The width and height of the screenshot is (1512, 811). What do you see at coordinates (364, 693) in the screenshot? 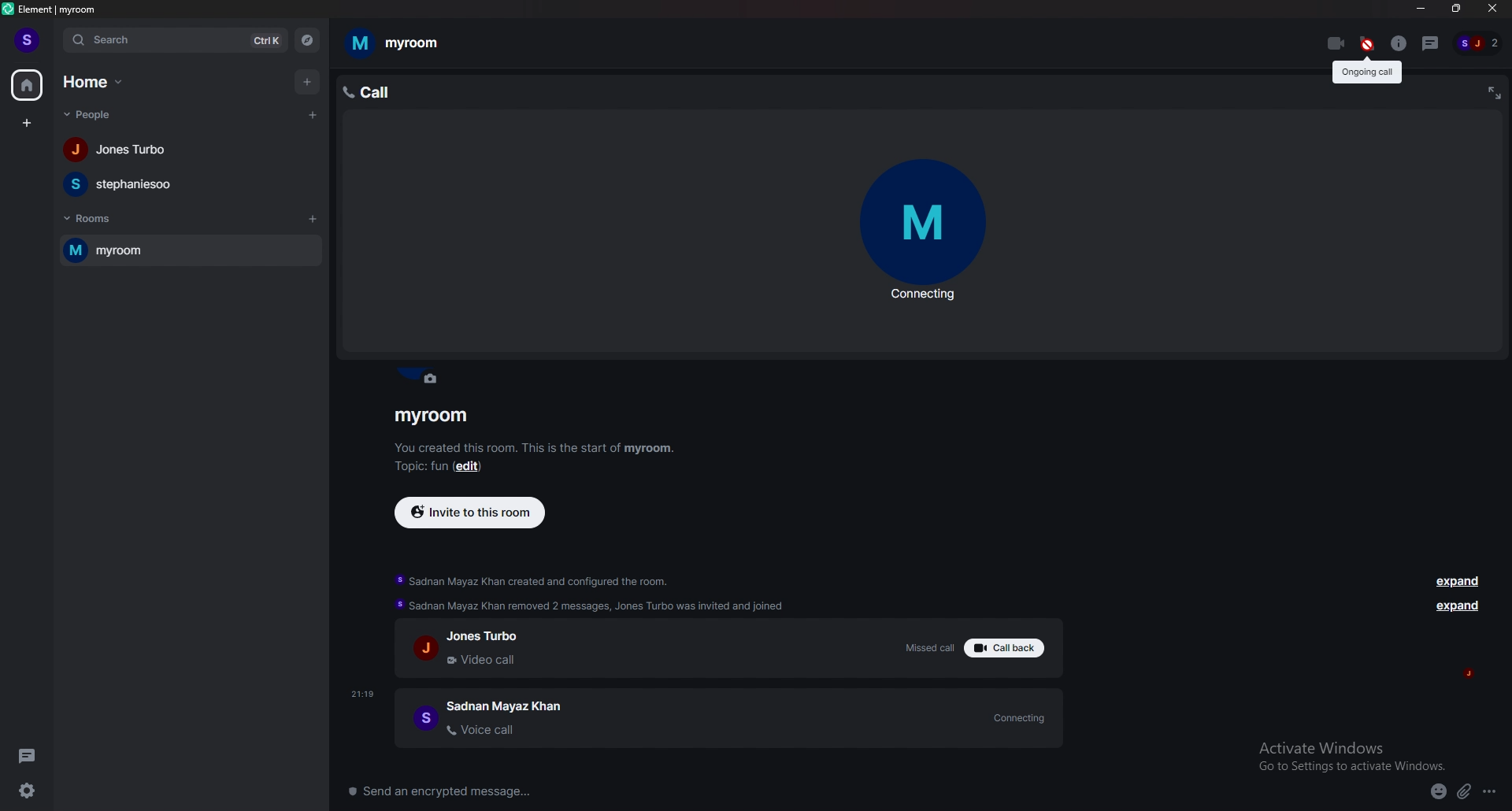
I see `21:19` at bounding box center [364, 693].